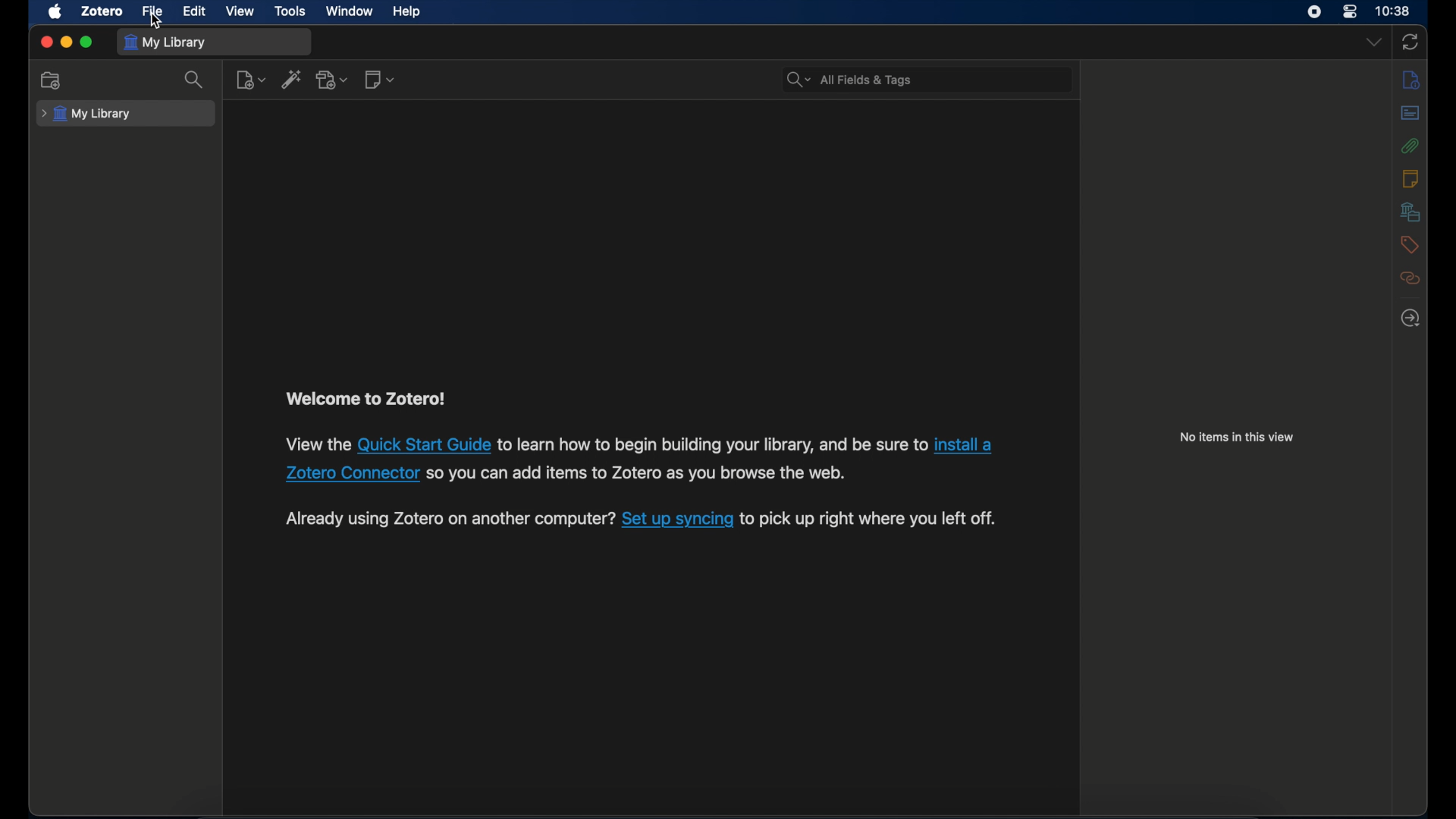  I want to click on apple, so click(55, 12).